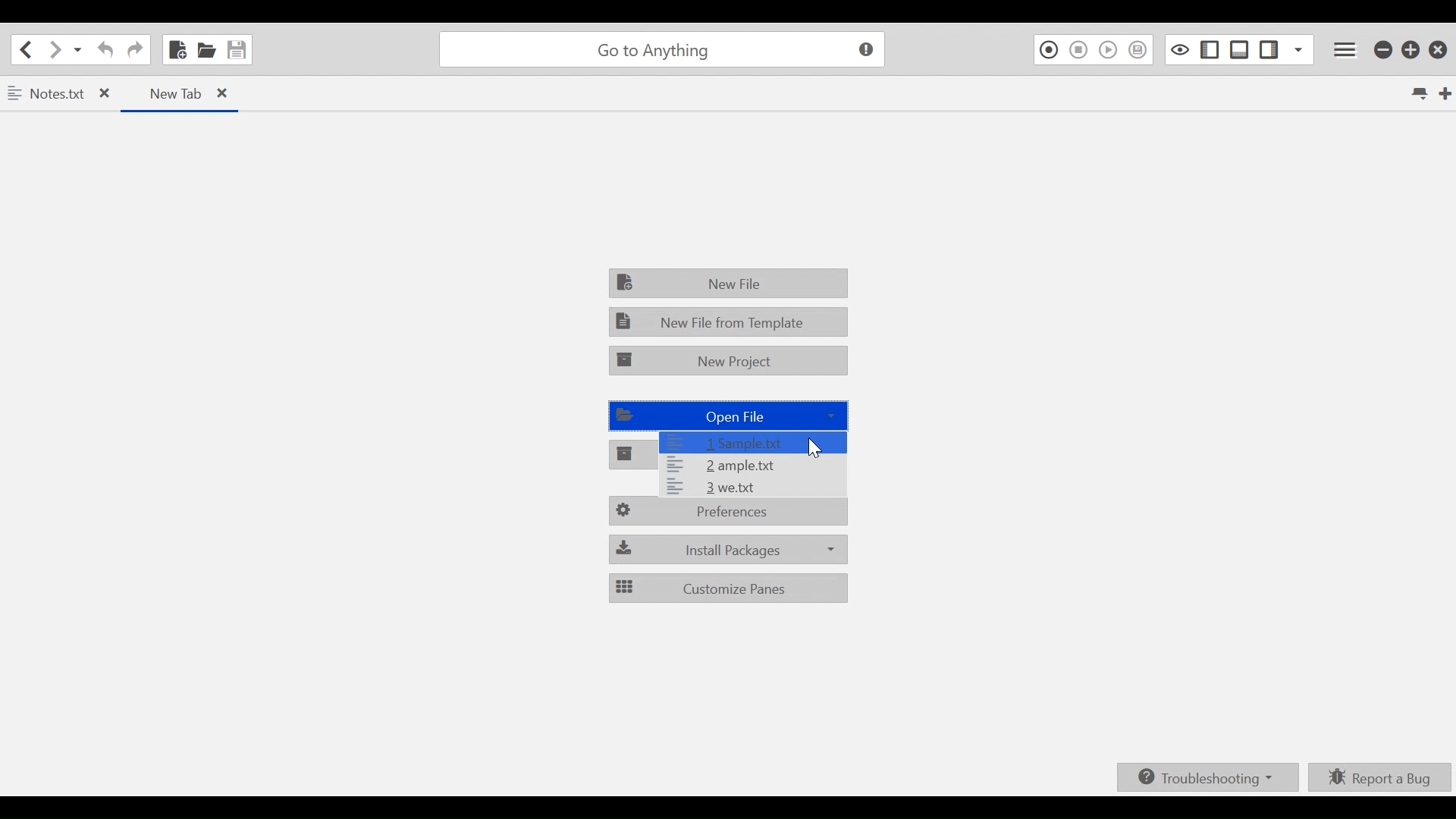 This screenshot has width=1456, height=819. What do you see at coordinates (1418, 93) in the screenshot?
I see `List all tabs` at bounding box center [1418, 93].